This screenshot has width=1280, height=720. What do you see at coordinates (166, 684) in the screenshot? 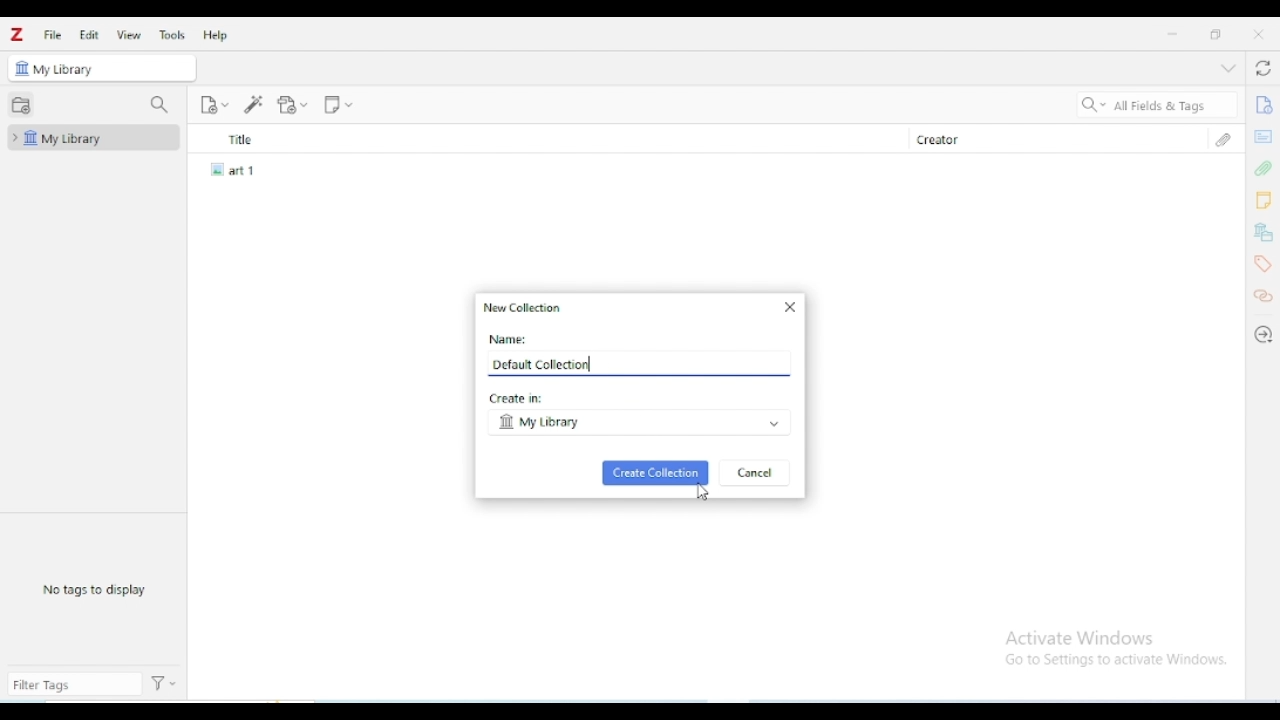
I see `actions` at bounding box center [166, 684].